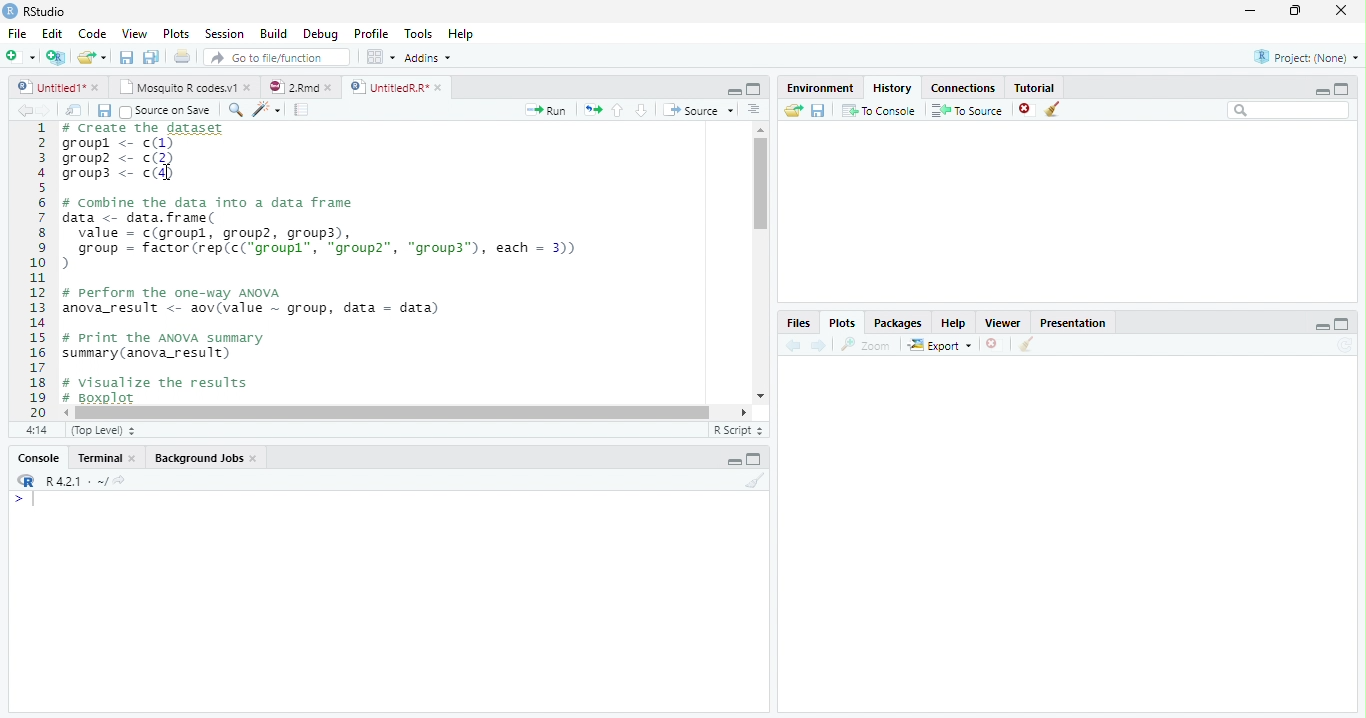 The image size is (1366, 718). Describe the element at coordinates (429, 59) in the screenshot. I see `Addins` at that location.